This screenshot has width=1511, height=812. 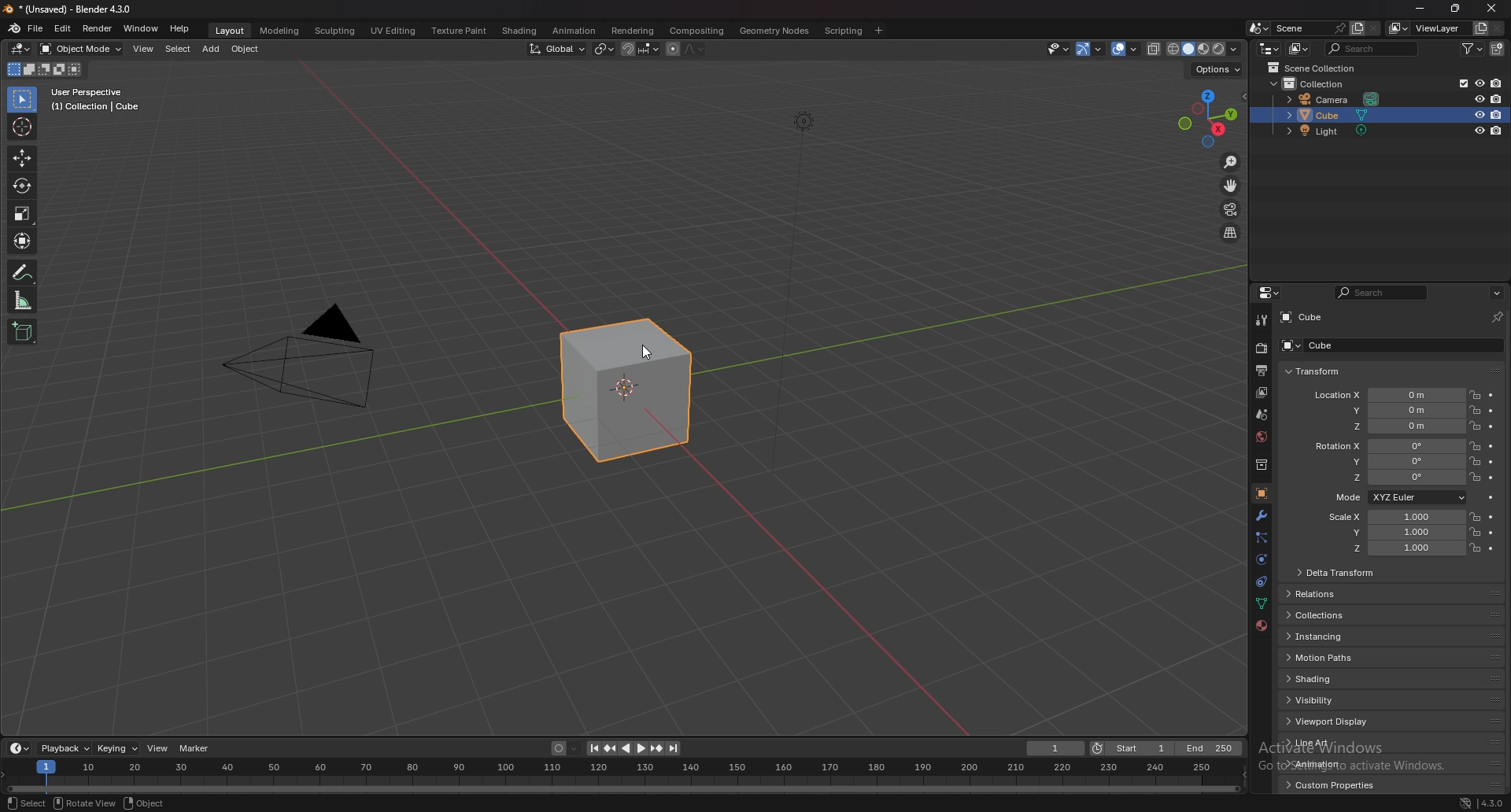 What do you see at coordinates (1313, 68) in the screenshot?
I see `scene collection` at bounding box center [1313, 68].